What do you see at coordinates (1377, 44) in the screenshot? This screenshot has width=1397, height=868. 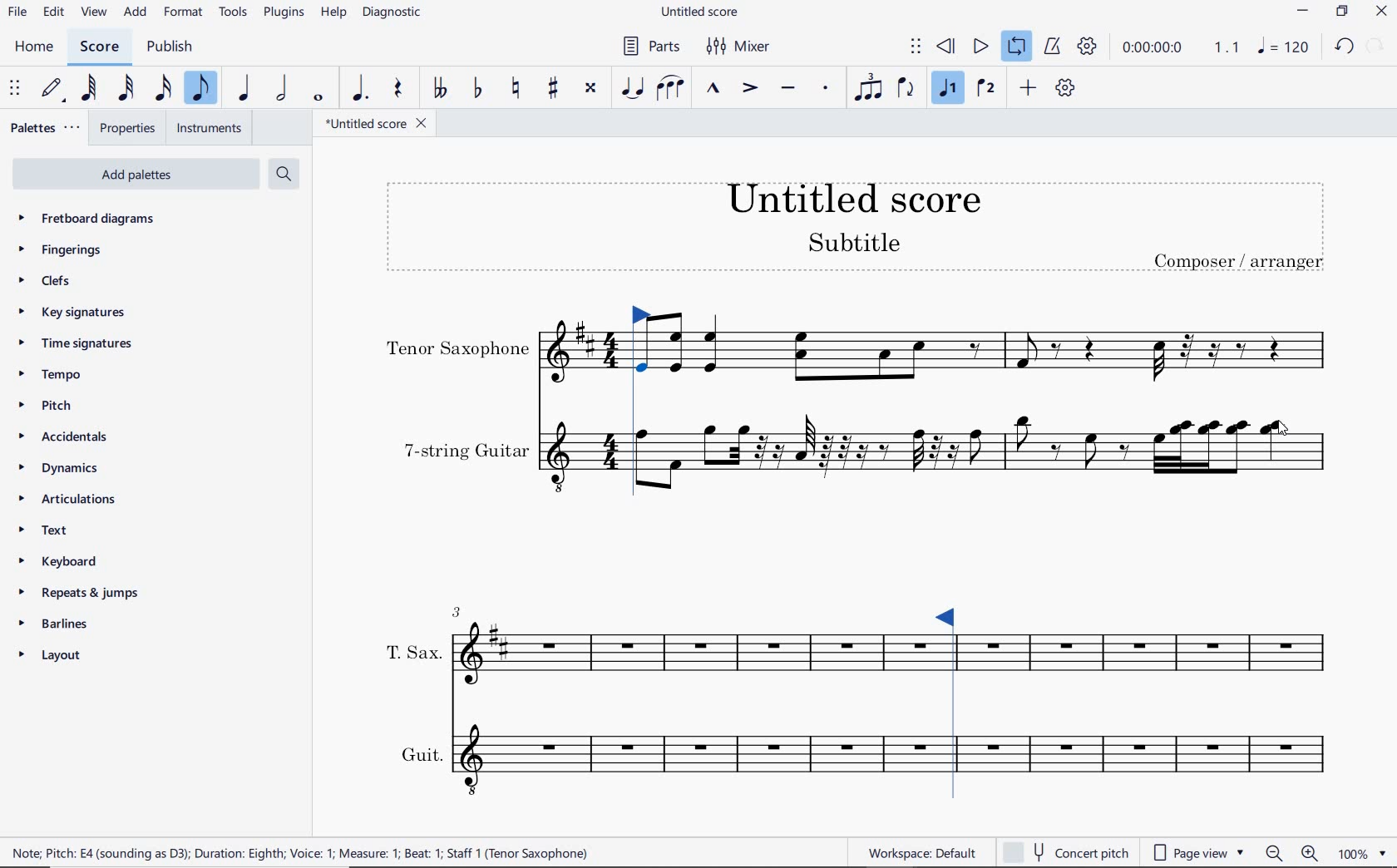 I see `REDO` at bounding box center [1377, 44].